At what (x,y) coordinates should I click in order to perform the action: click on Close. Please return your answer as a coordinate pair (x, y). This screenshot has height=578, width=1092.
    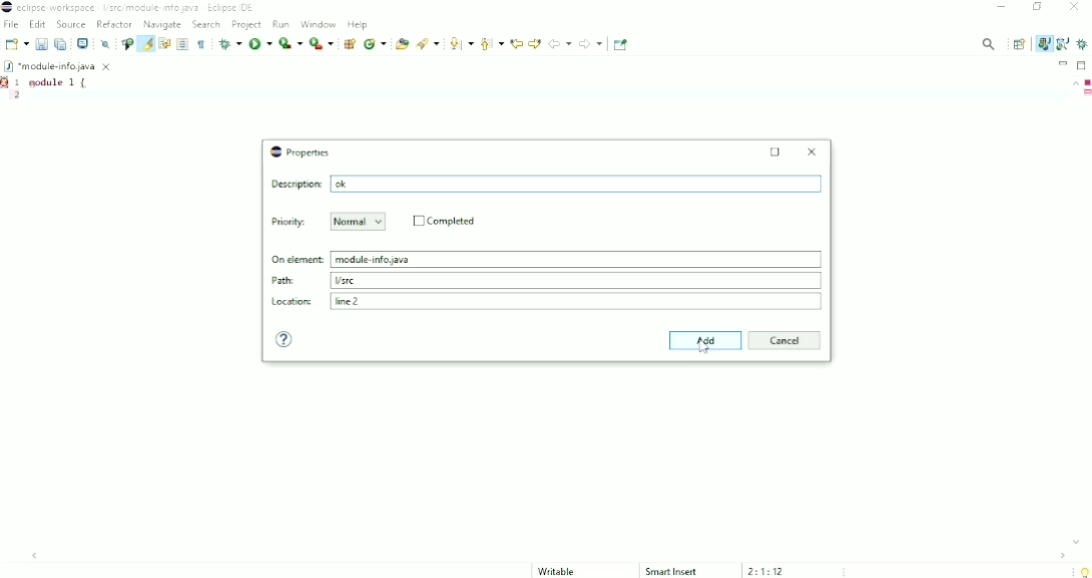
    Looking at the image, I should click on (1076, 8).